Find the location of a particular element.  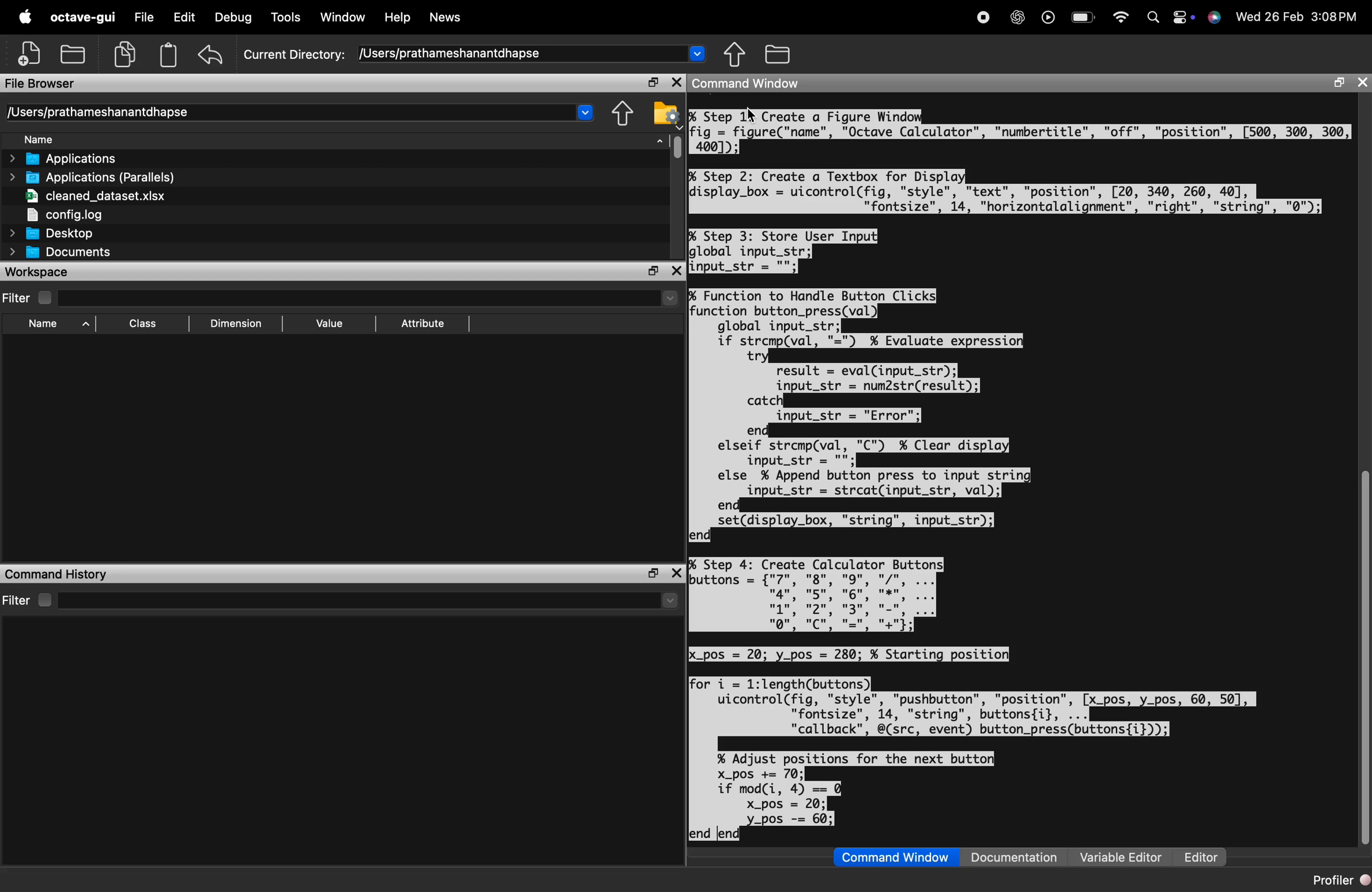

Tools is located at coordinates (288, 18).